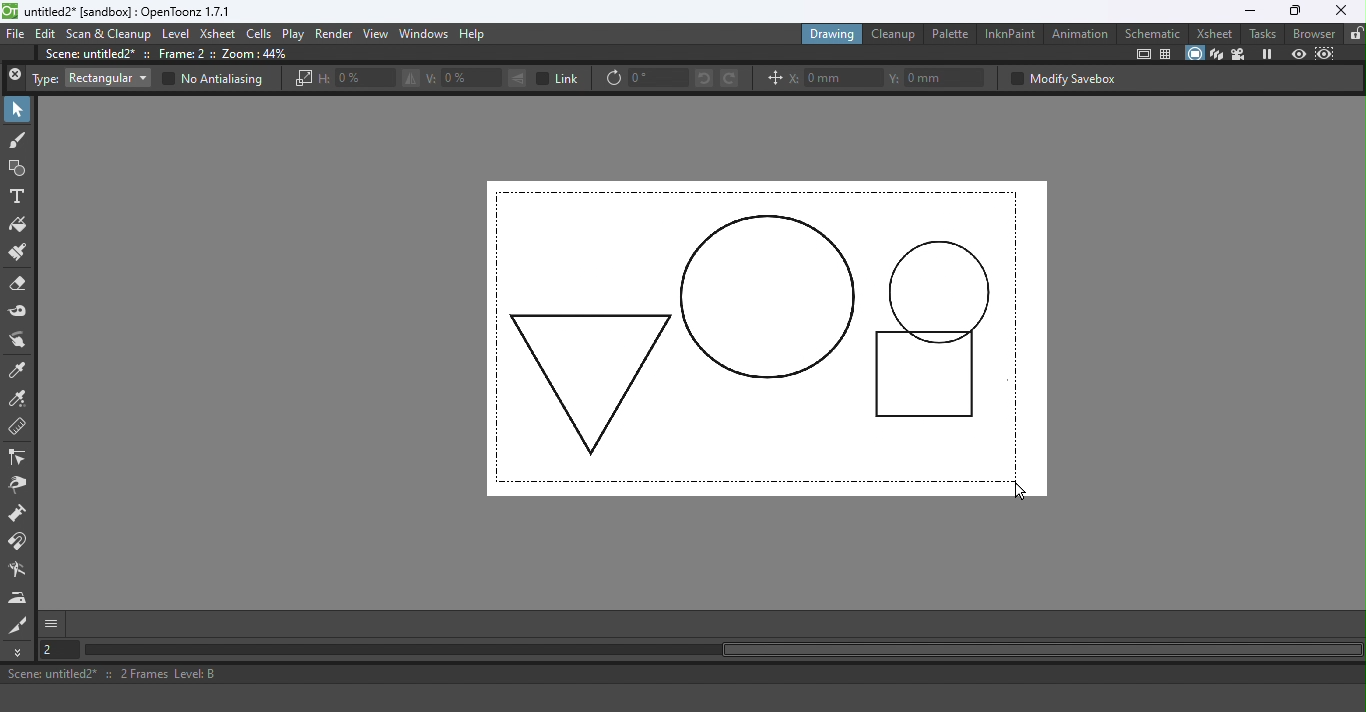 The width and height of the screenshot is (1366, 712). I want to click on Ruler tool, so click(18, 428).